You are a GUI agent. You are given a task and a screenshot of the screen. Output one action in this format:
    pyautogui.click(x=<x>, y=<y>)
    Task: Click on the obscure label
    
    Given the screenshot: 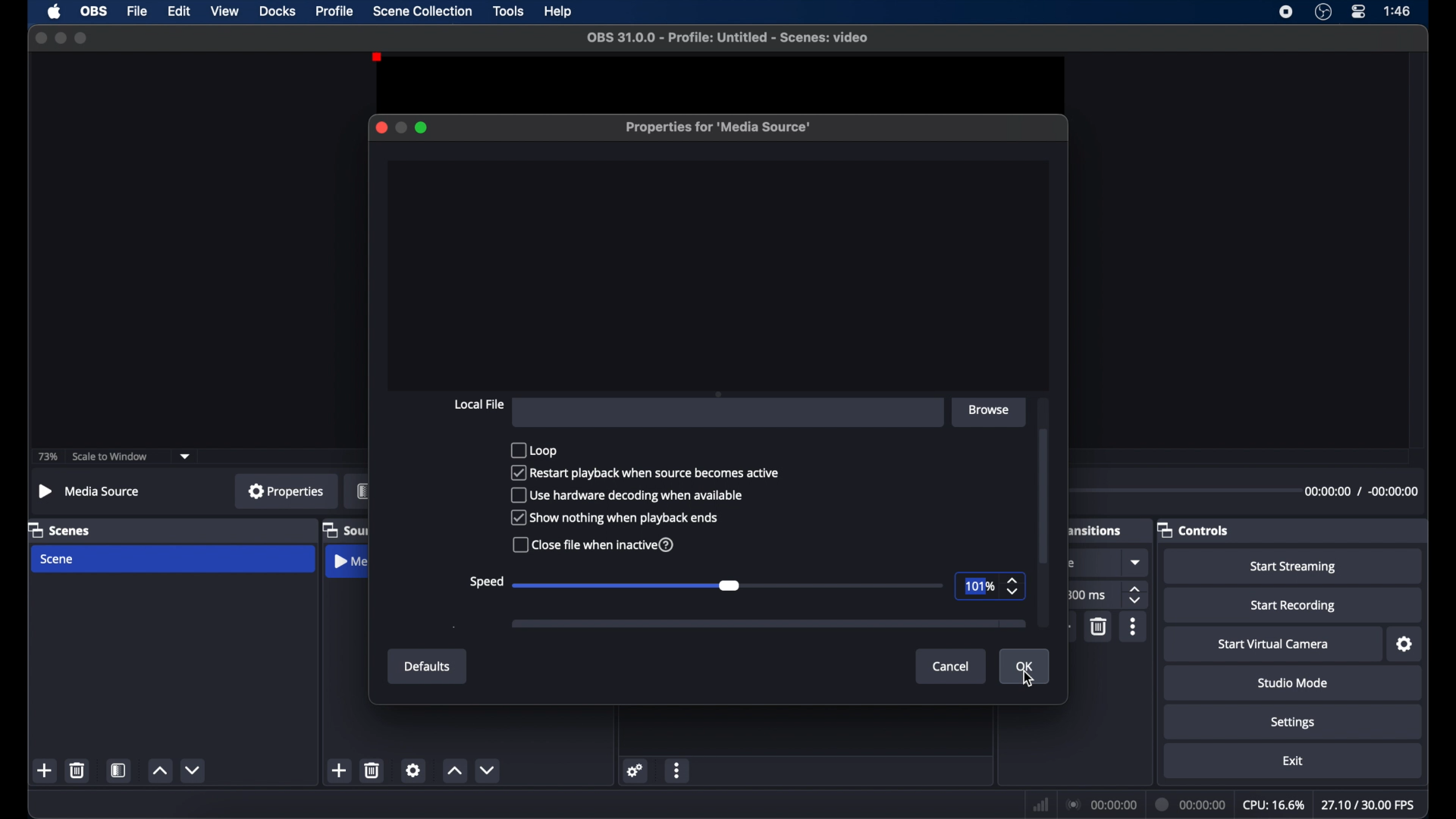 What is the action you would take?
    pyautogui.click(x=347, y=561)
    